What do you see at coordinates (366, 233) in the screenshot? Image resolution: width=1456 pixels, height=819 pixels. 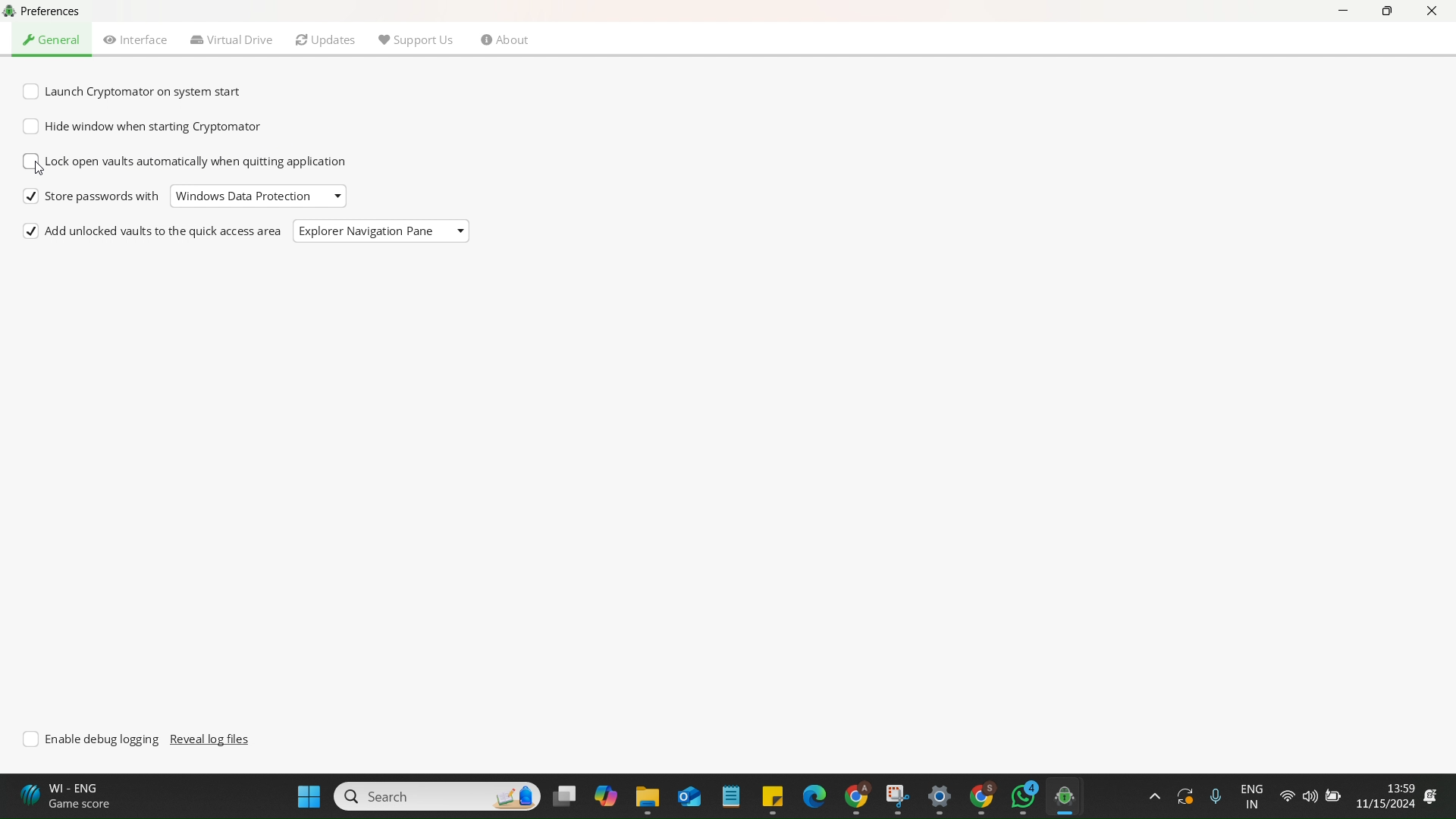 I see `Explorer Navigation Pane` at bounding box center [366, 233].